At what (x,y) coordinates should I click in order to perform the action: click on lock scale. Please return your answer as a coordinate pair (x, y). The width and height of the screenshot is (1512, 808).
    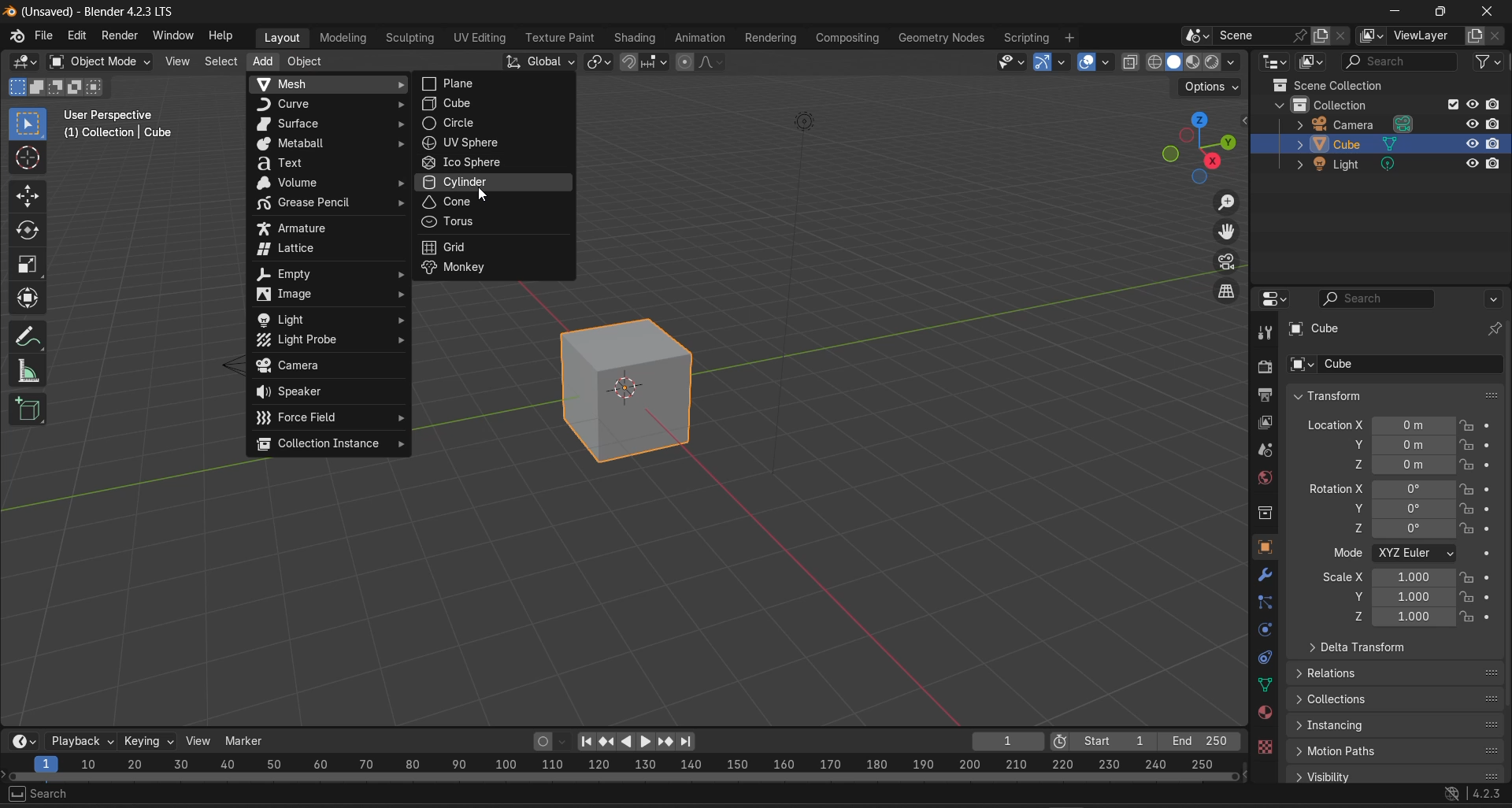
    Looking at the image, I should click on (1467, 578).